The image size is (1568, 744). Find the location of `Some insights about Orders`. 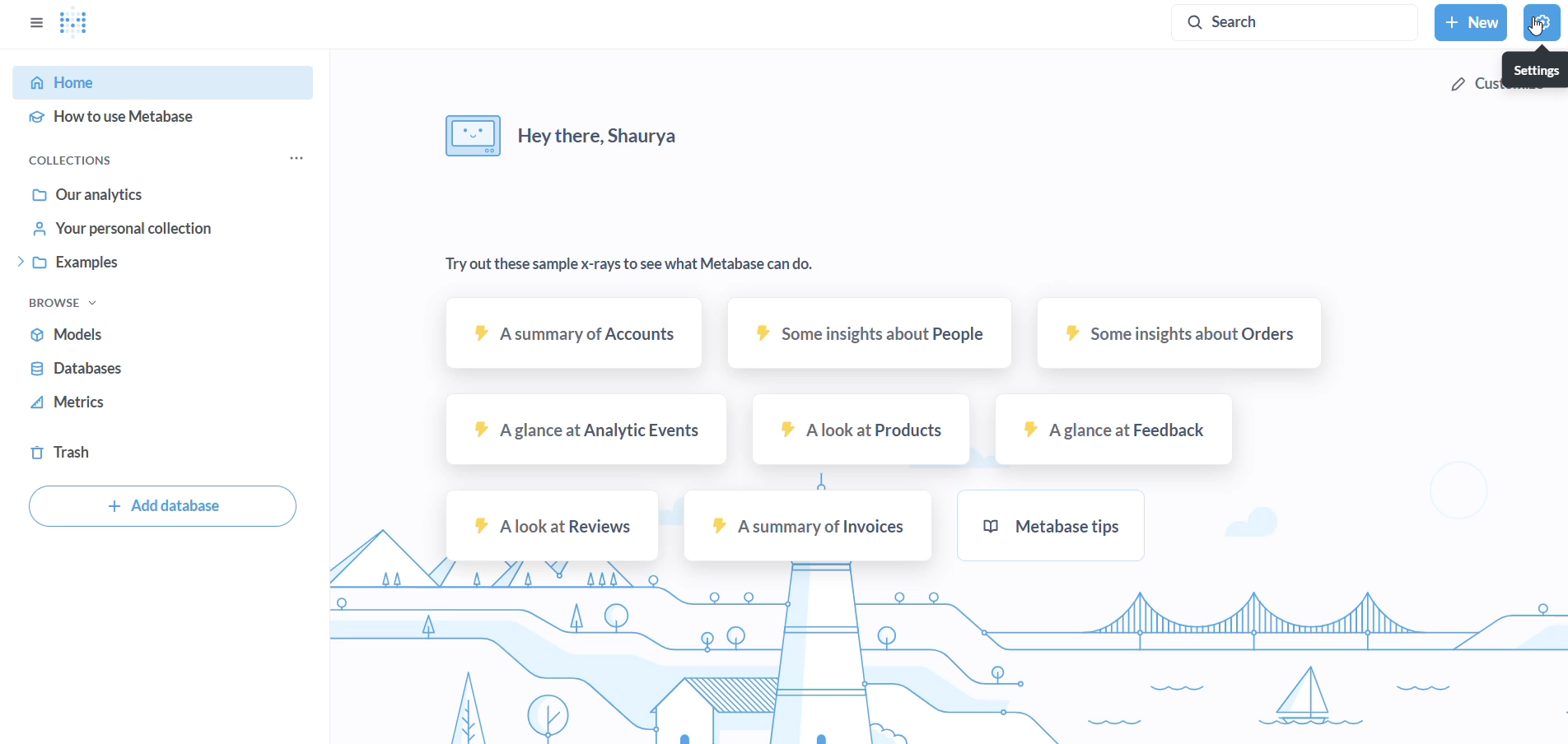

Some insights about Orders is located at coordinates (1182, 332).